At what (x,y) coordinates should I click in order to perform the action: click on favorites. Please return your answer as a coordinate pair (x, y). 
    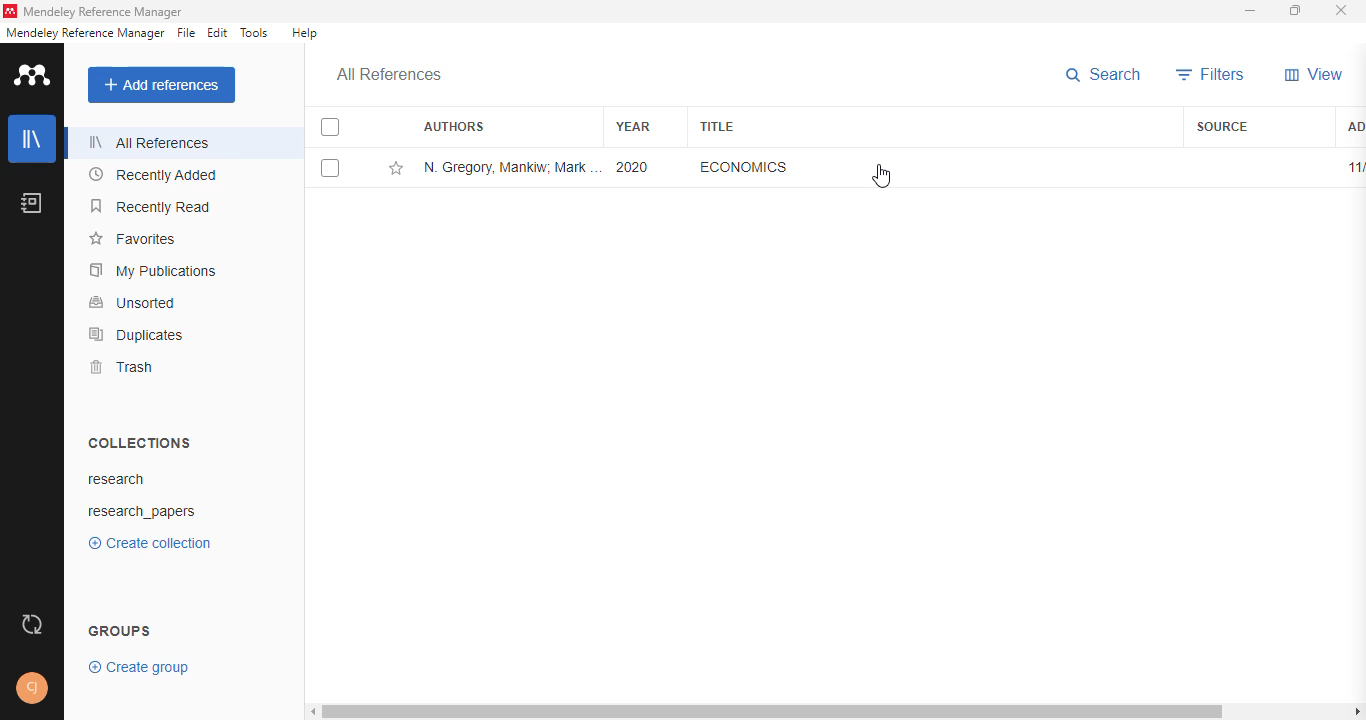
    Looking at the image, I should click on (131, 240).